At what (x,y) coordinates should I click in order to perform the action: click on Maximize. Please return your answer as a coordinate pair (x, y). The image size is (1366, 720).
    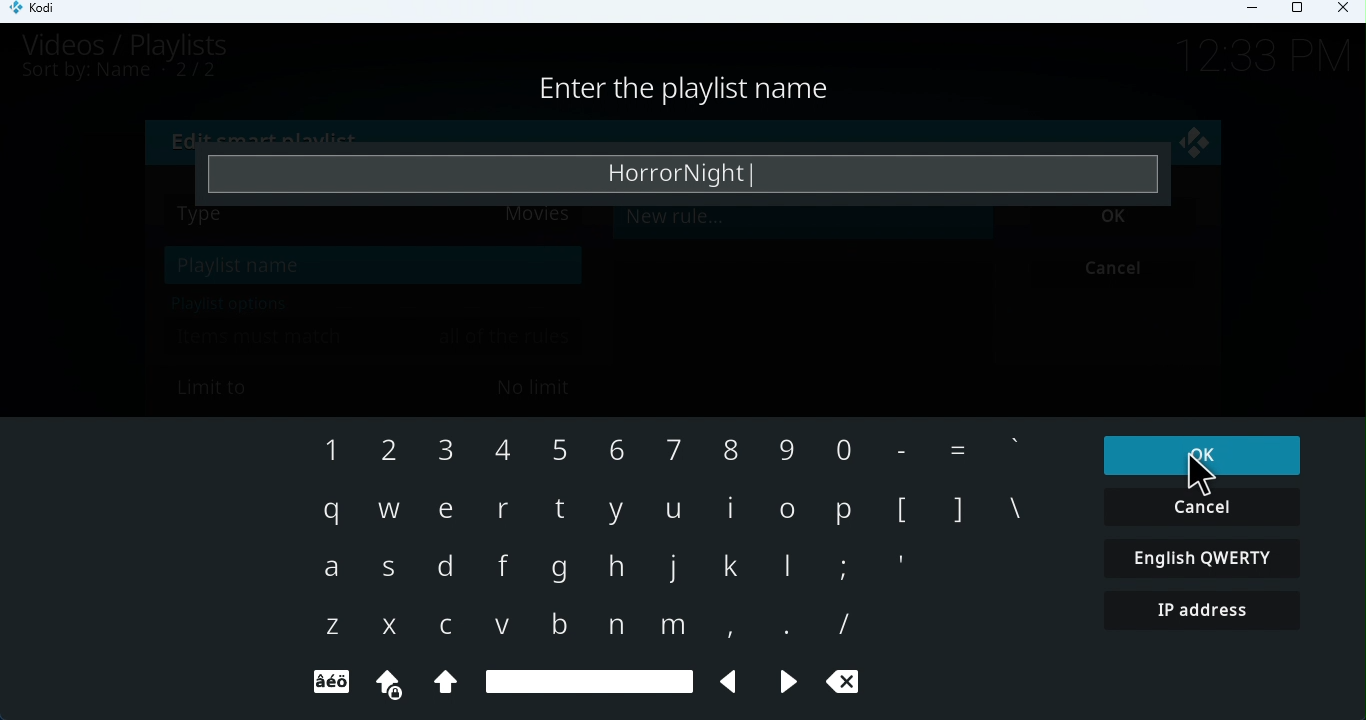
    Looking at the image, I should click on (1301, 9).